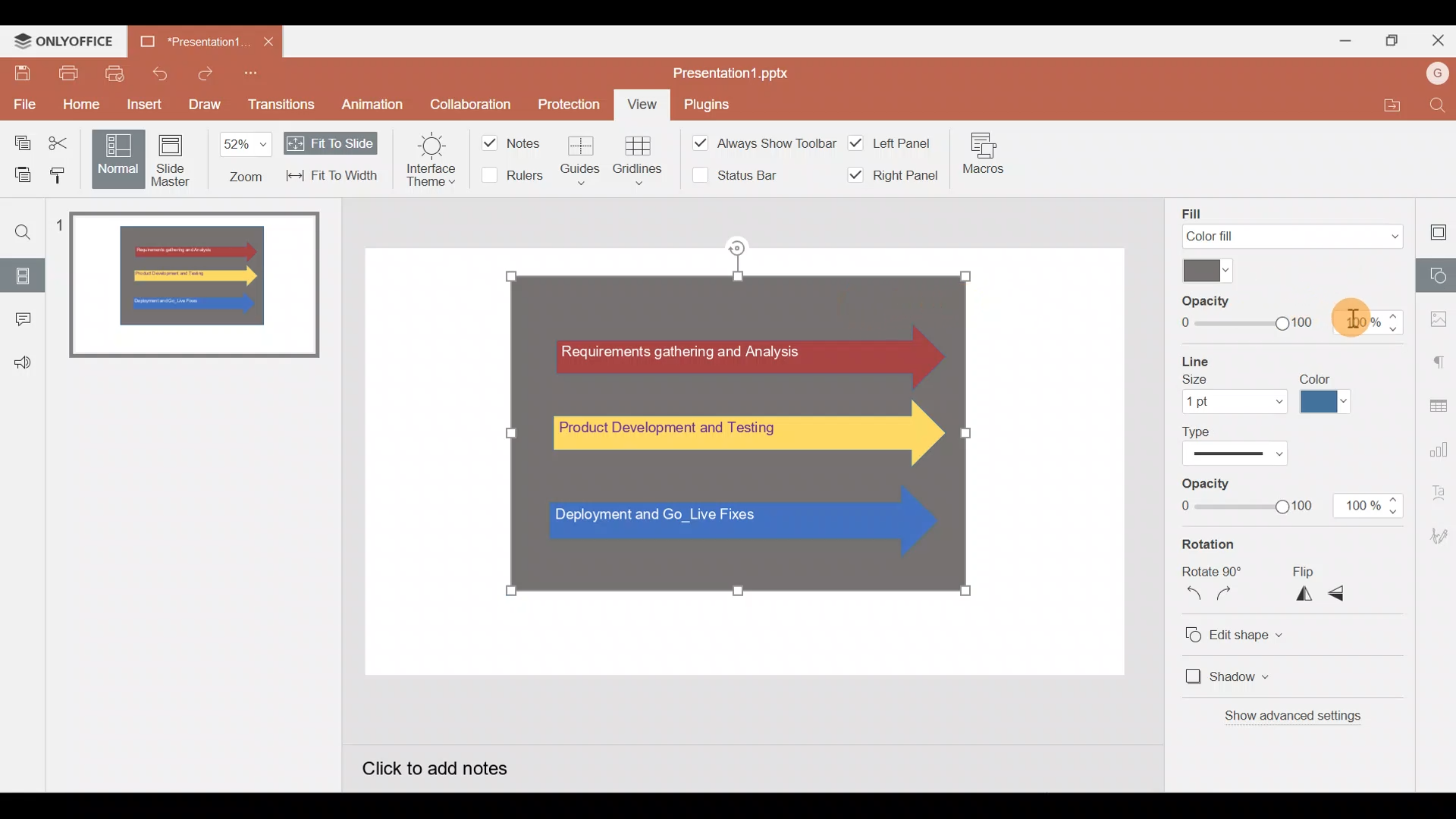 The image size is (1456, 819). Describe the element at coordinates (511, 177) in the screenshot. I see `Rulers` at that location.